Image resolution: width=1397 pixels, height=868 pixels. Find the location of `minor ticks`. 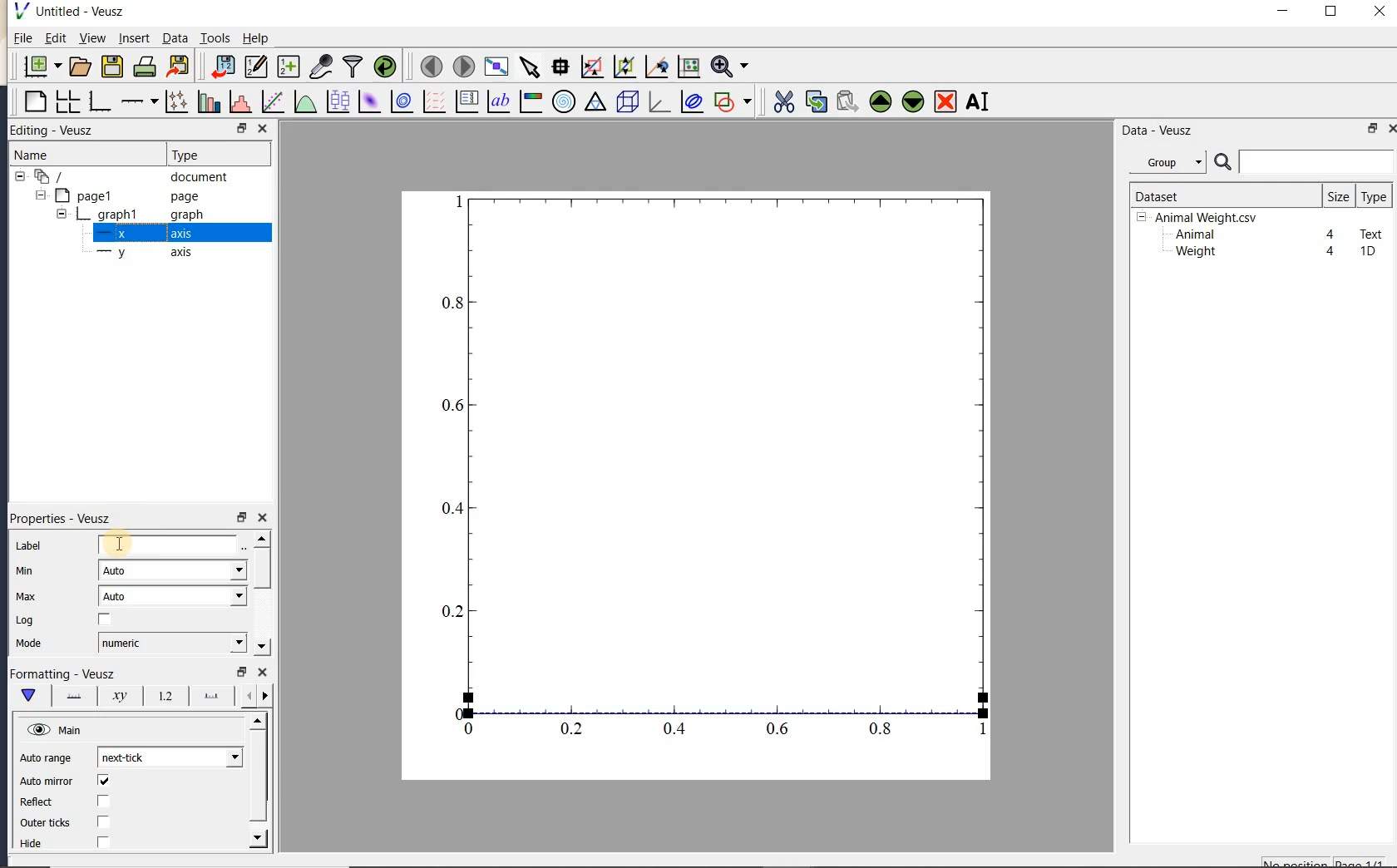

minor ticks is located at coordinates (254, 696).